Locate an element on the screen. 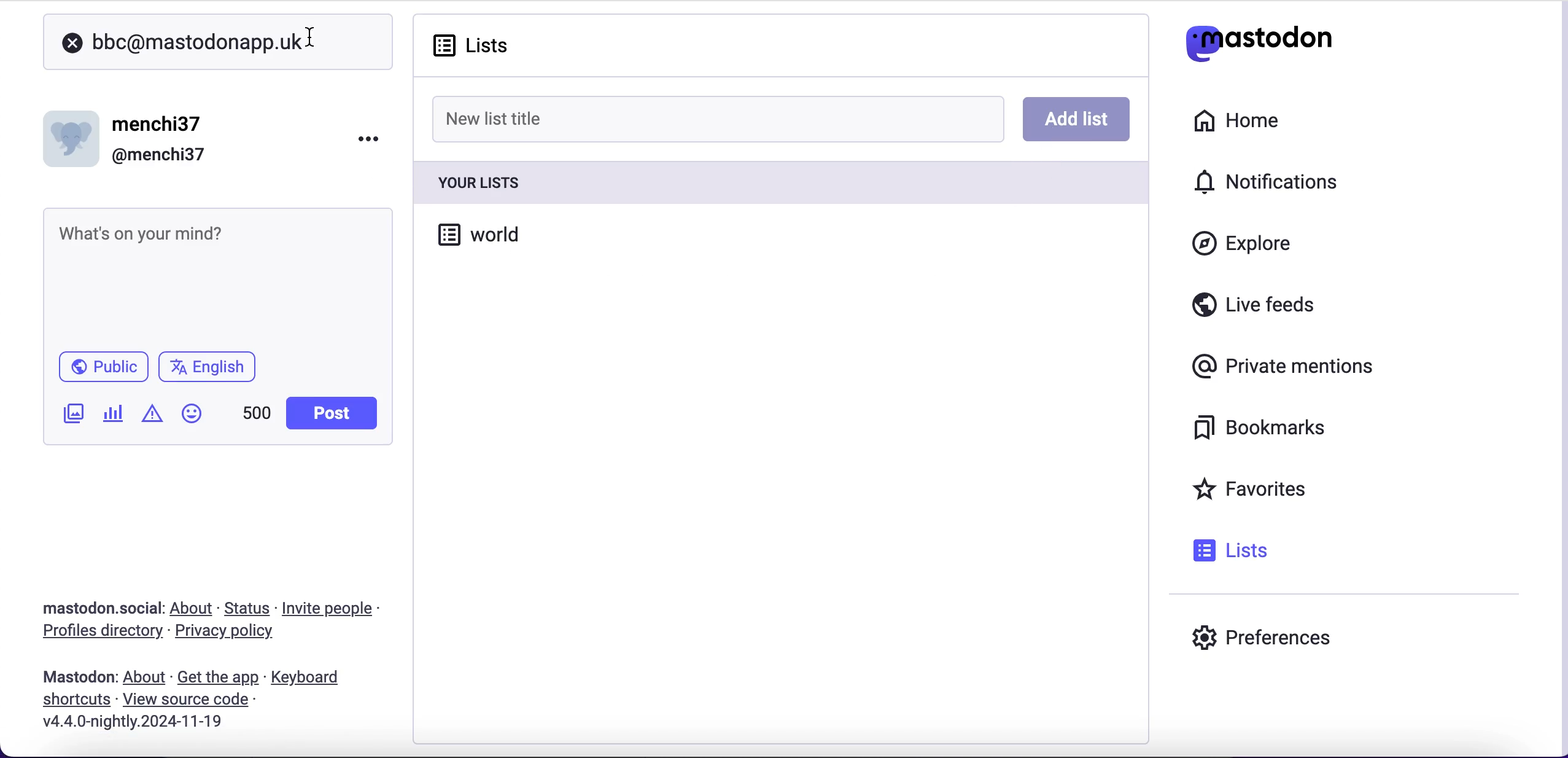  invite people is located at coordinates (334, 609).